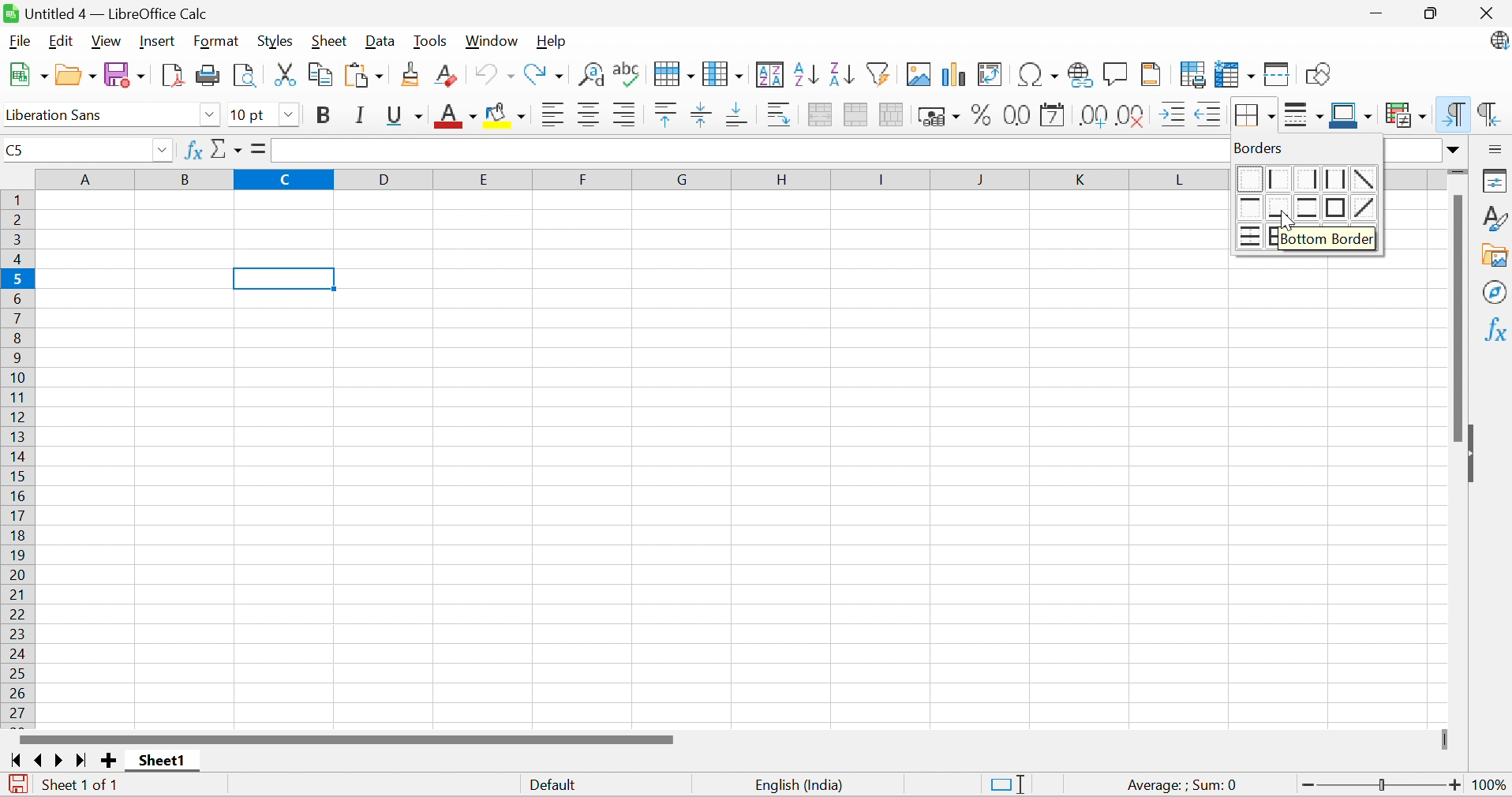 The image size is (1512, 797). I want to click on Drop down, so click(290, 115).